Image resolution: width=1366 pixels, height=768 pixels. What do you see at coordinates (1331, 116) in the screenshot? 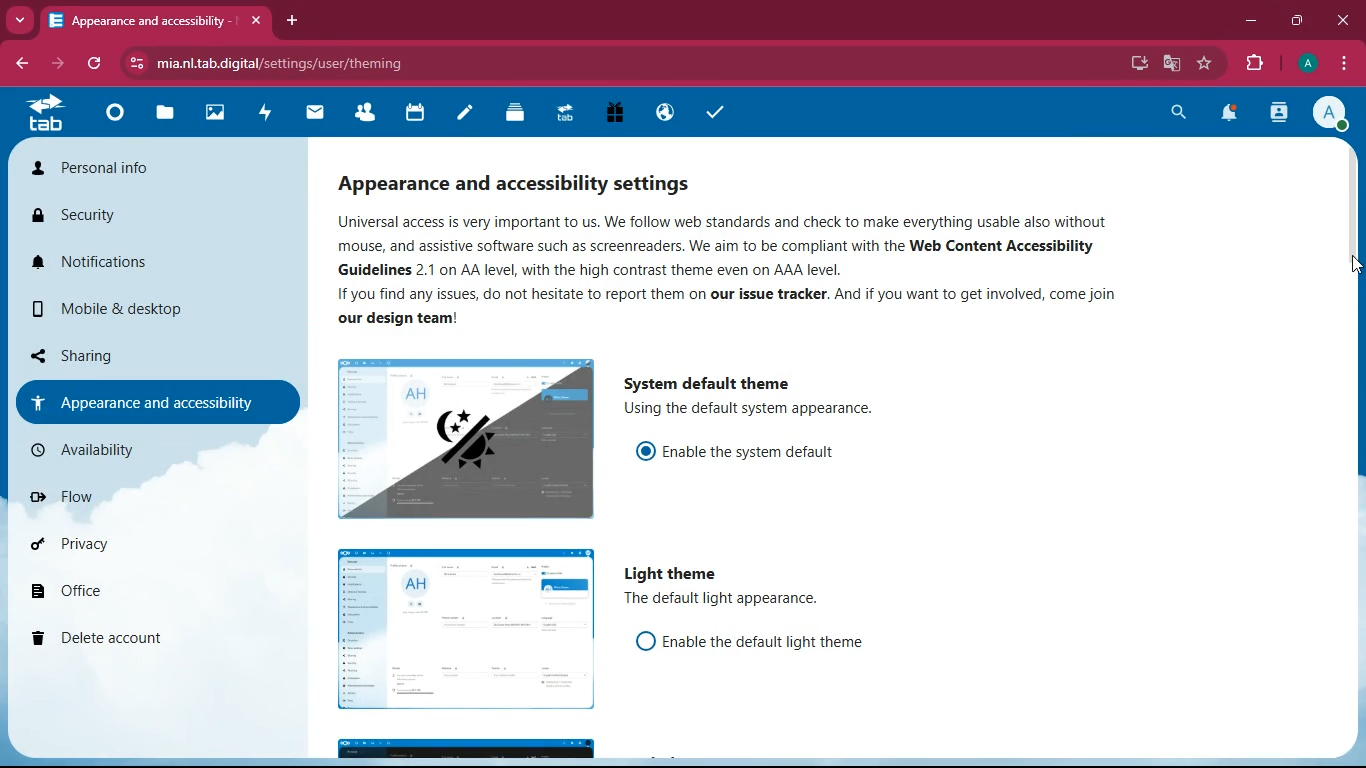
I see `profile` at bounding box center [1331, 116].